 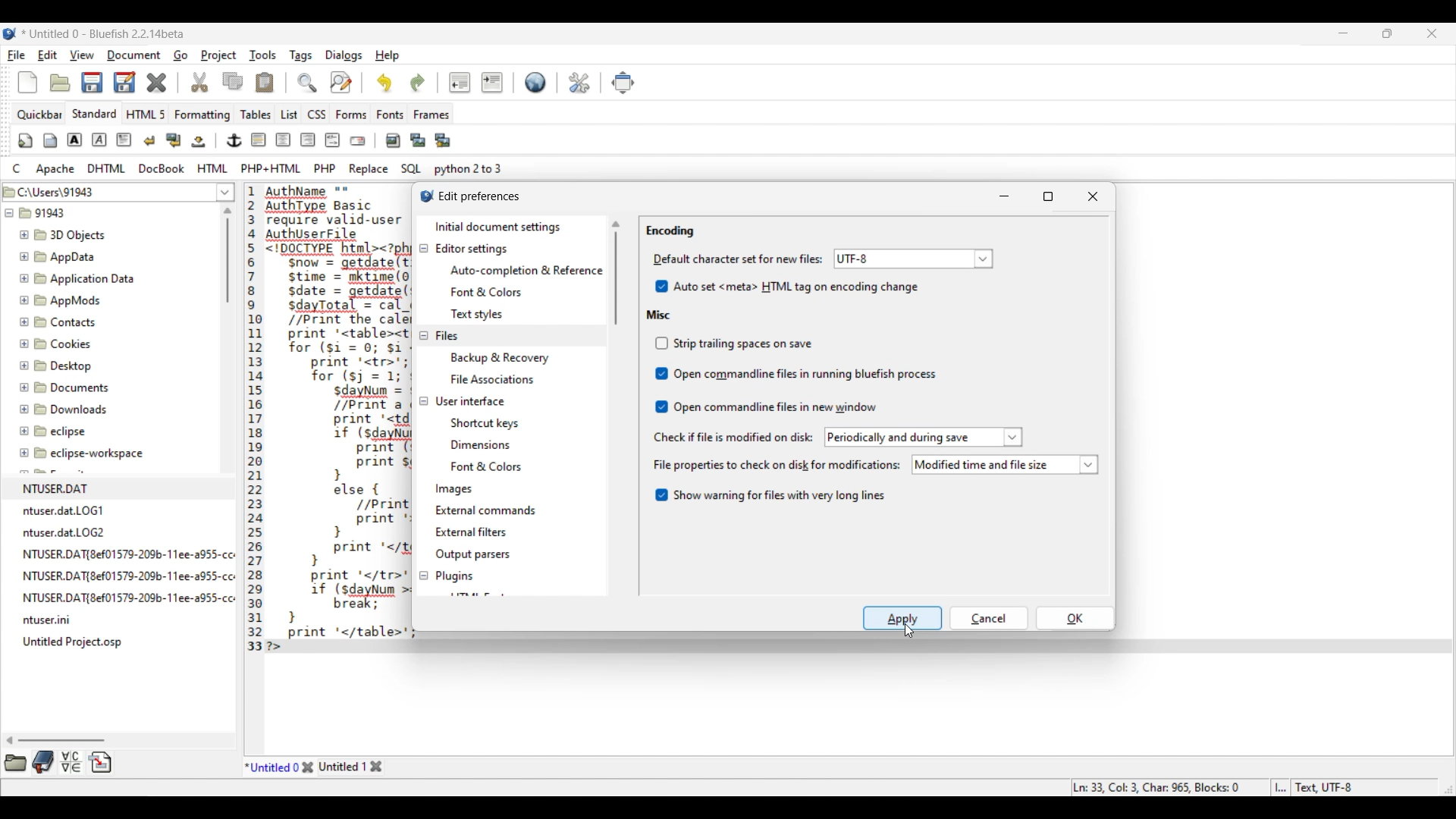 I want to click on Editor setting options, so click(x=526, y=293).